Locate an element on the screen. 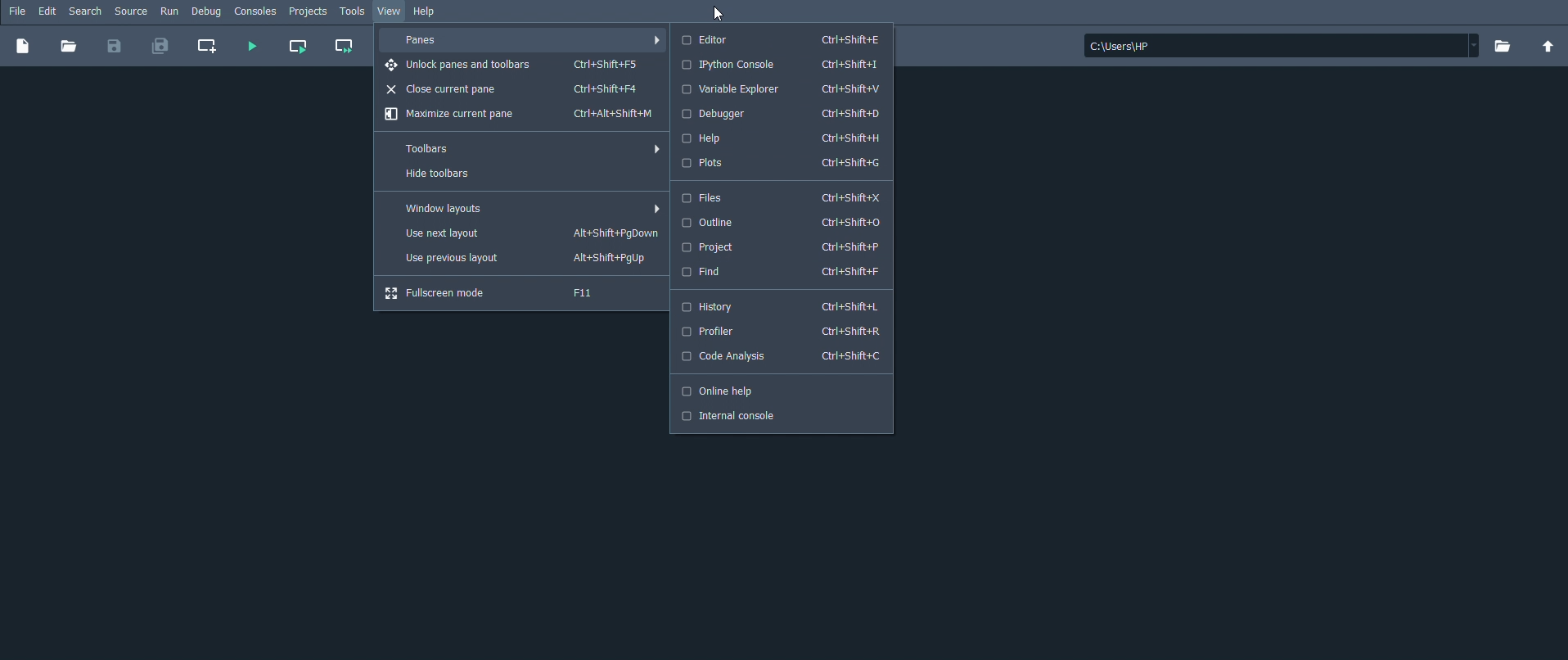 The width and height of the screenshot is (1568, 660). New file is located at coordinates (23, 47).